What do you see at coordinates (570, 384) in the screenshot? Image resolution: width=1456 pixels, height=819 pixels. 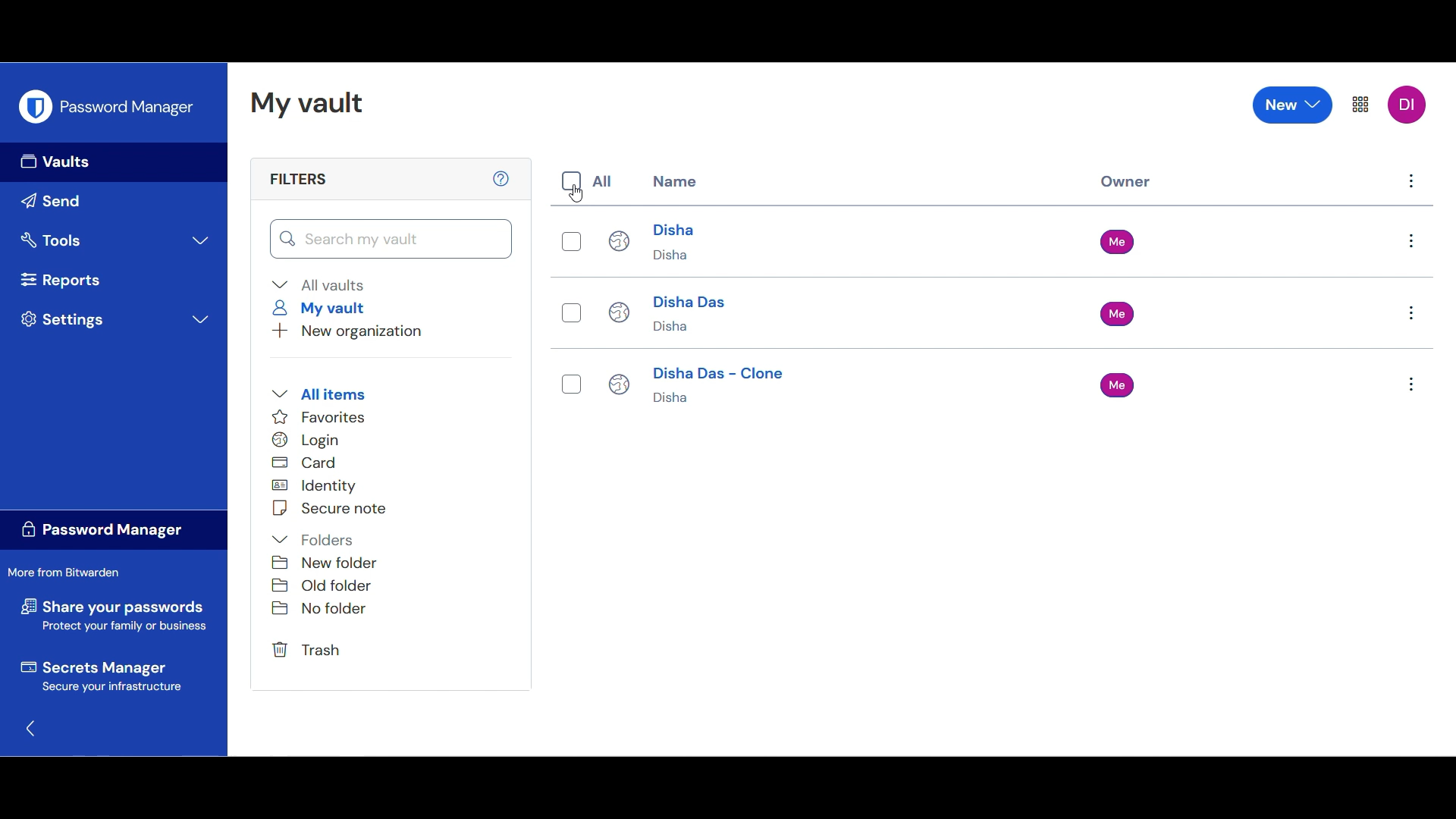 I see `Indicates toggle on/off` at bounding box center [570, 384].